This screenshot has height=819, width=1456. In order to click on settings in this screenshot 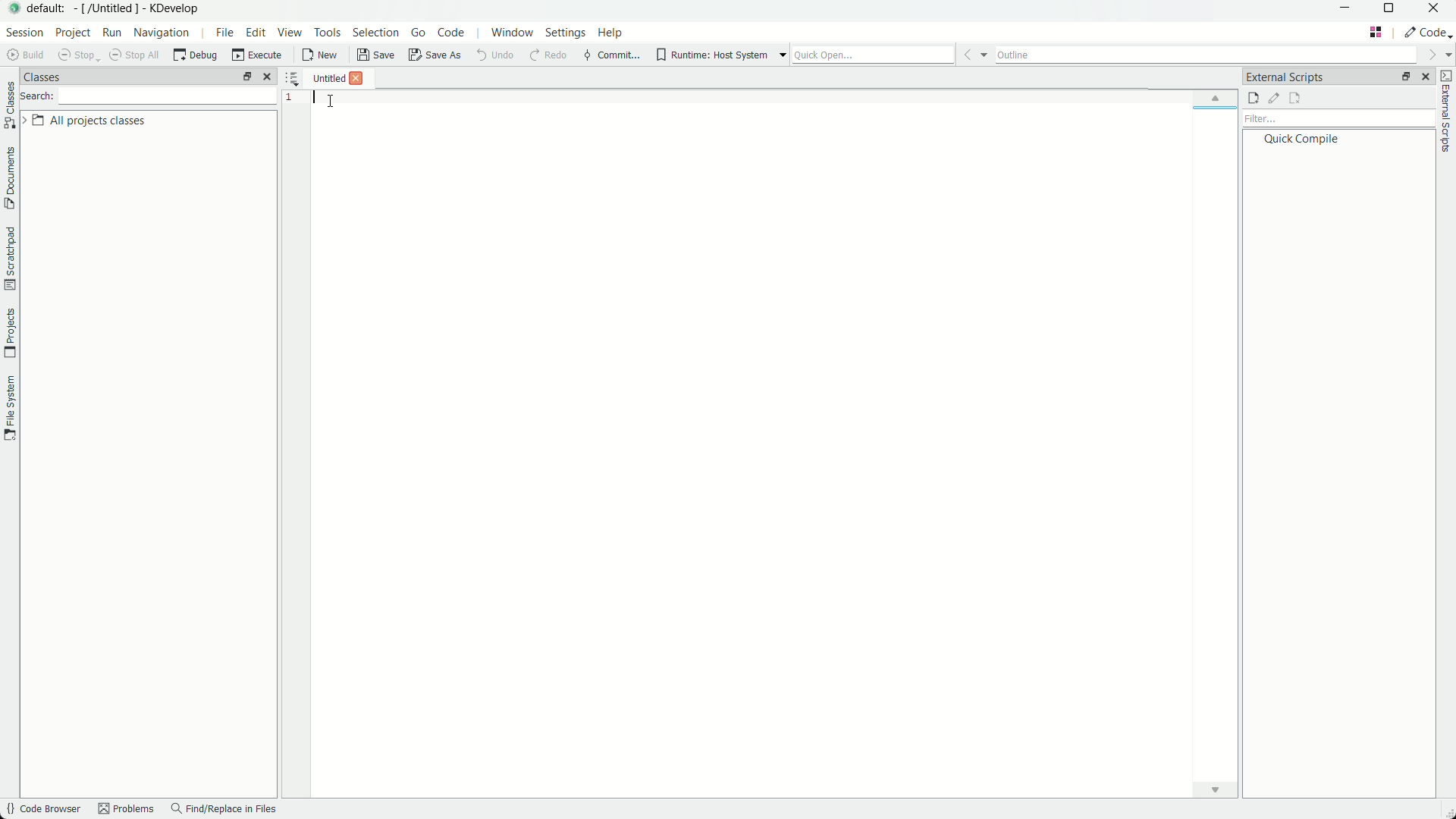, I will do `click(565, 33)`.